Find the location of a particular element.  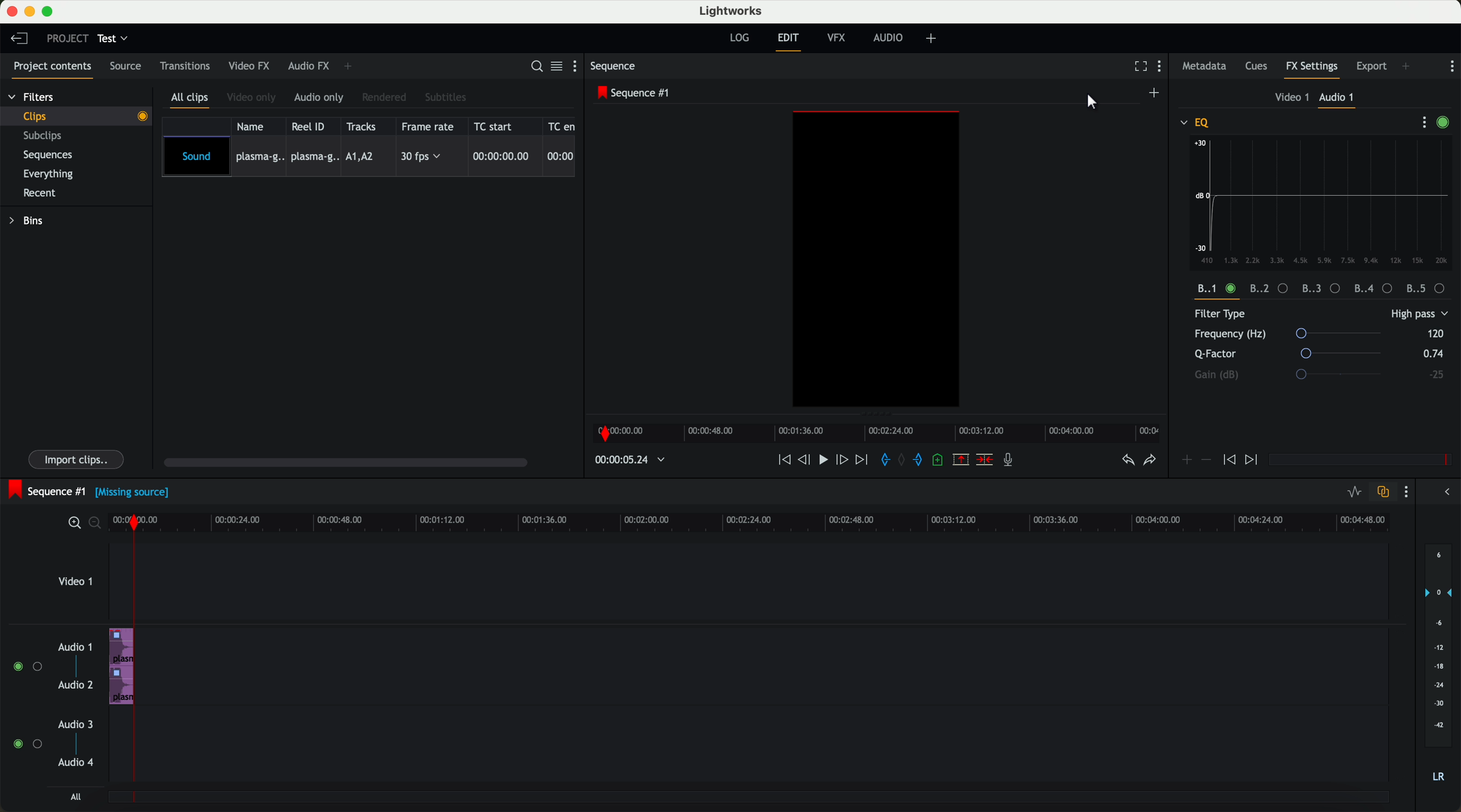

toggle auto track sync is located at coordinates (1383, 492).